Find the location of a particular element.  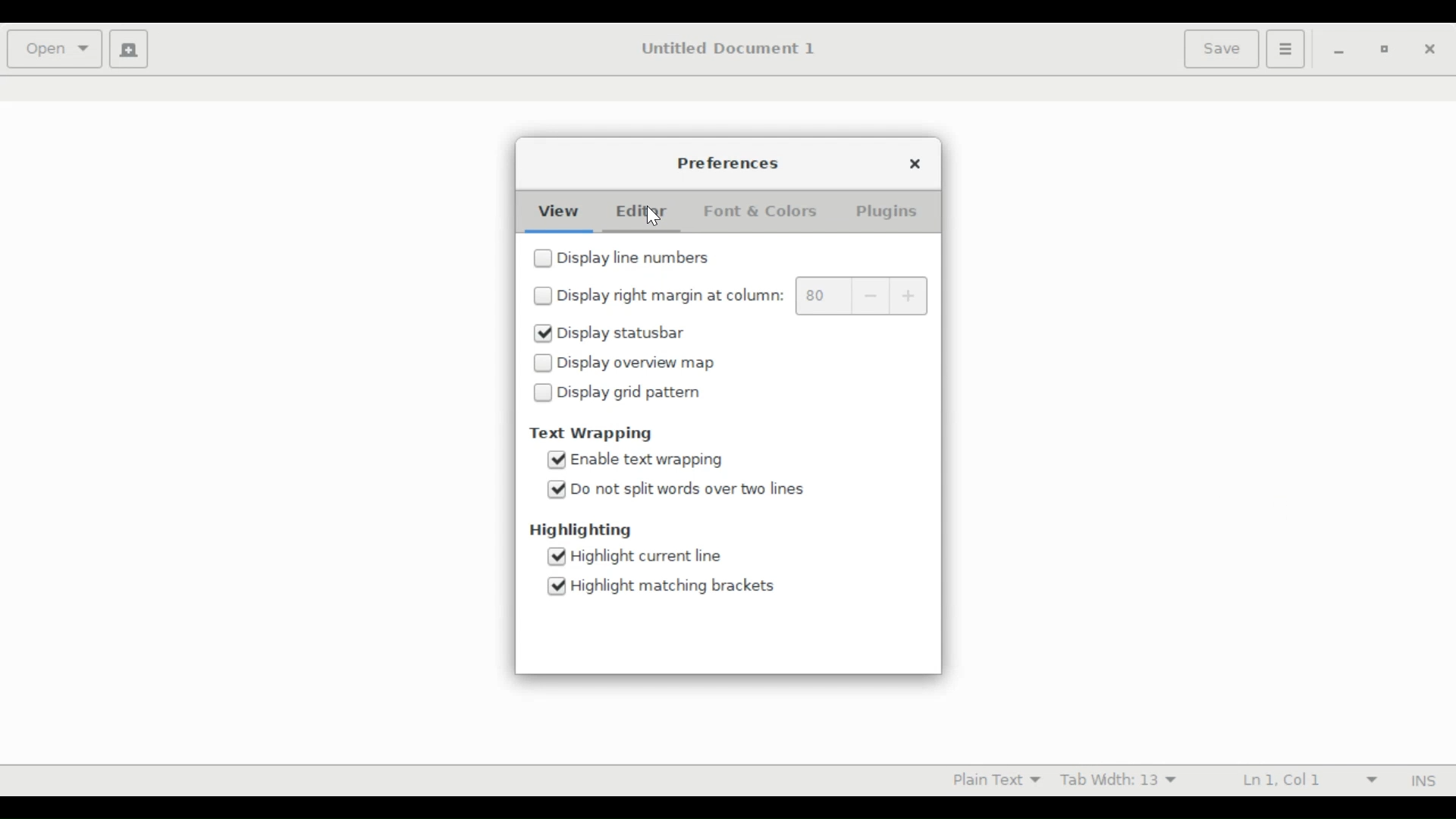

Unselected is located at coordinates (542, 258).